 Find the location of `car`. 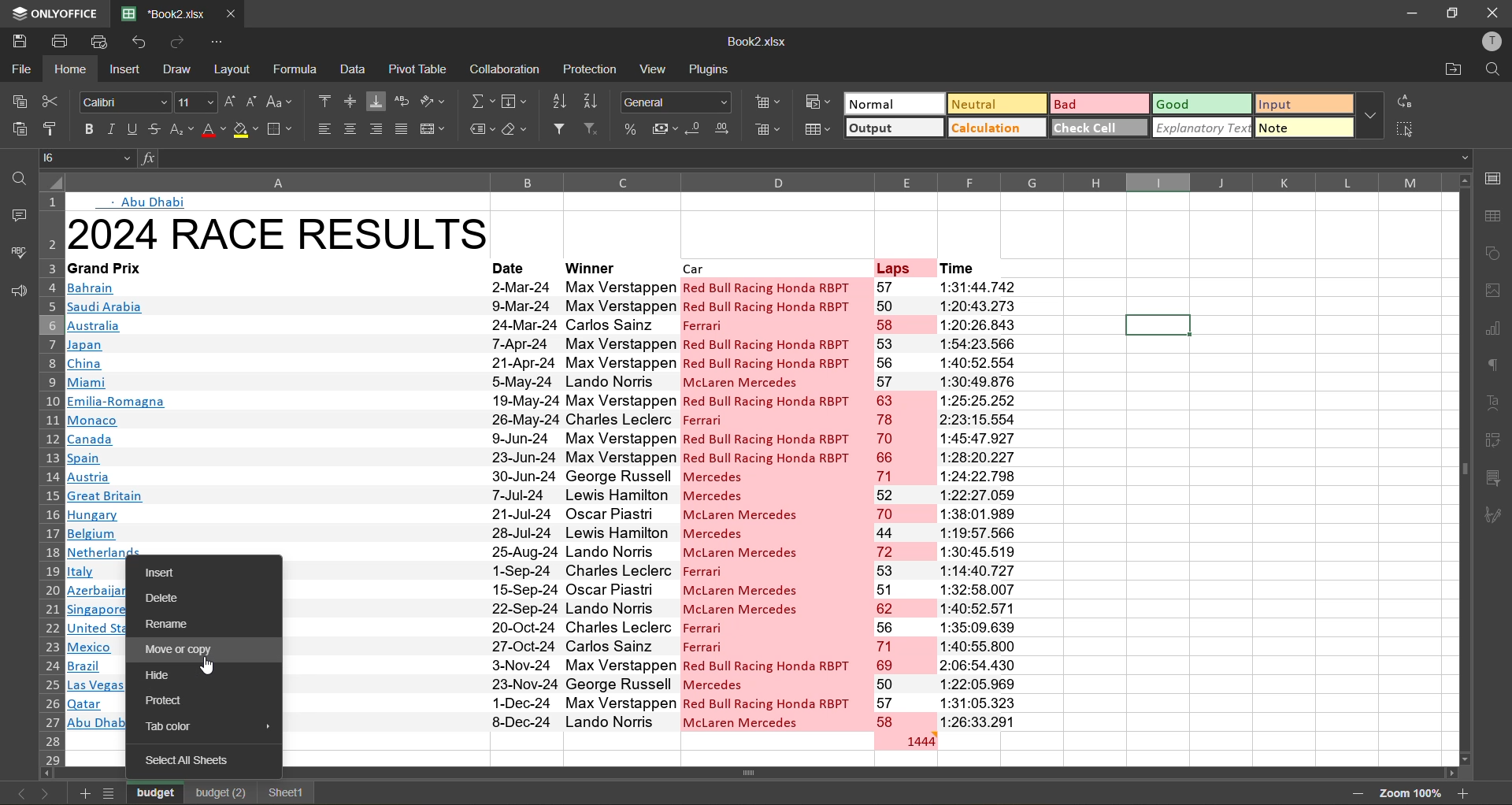

car is located at coordinates (770, 268).